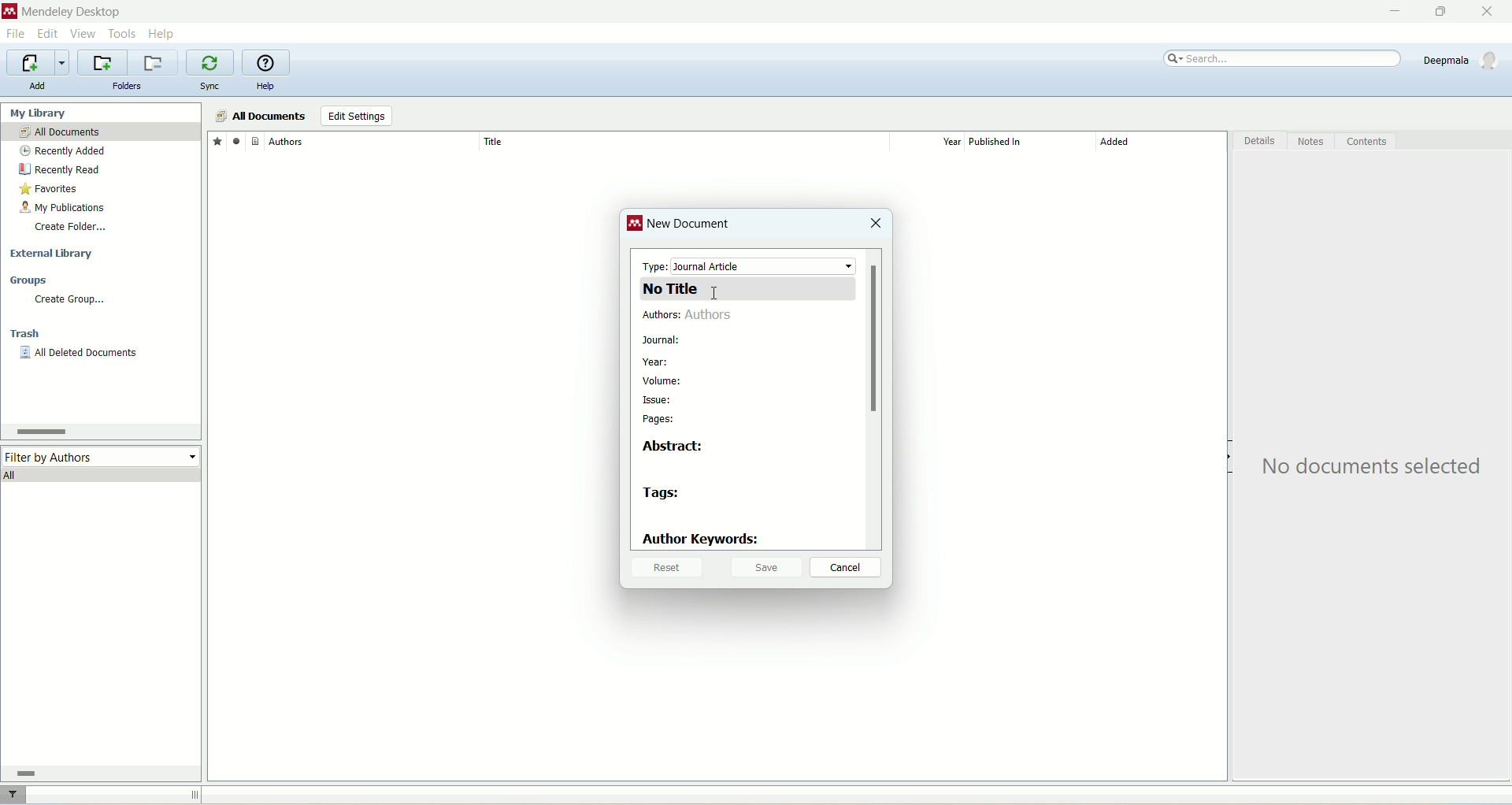 The image size is (1512, 805). I want to click on added, so click(1162, 146).